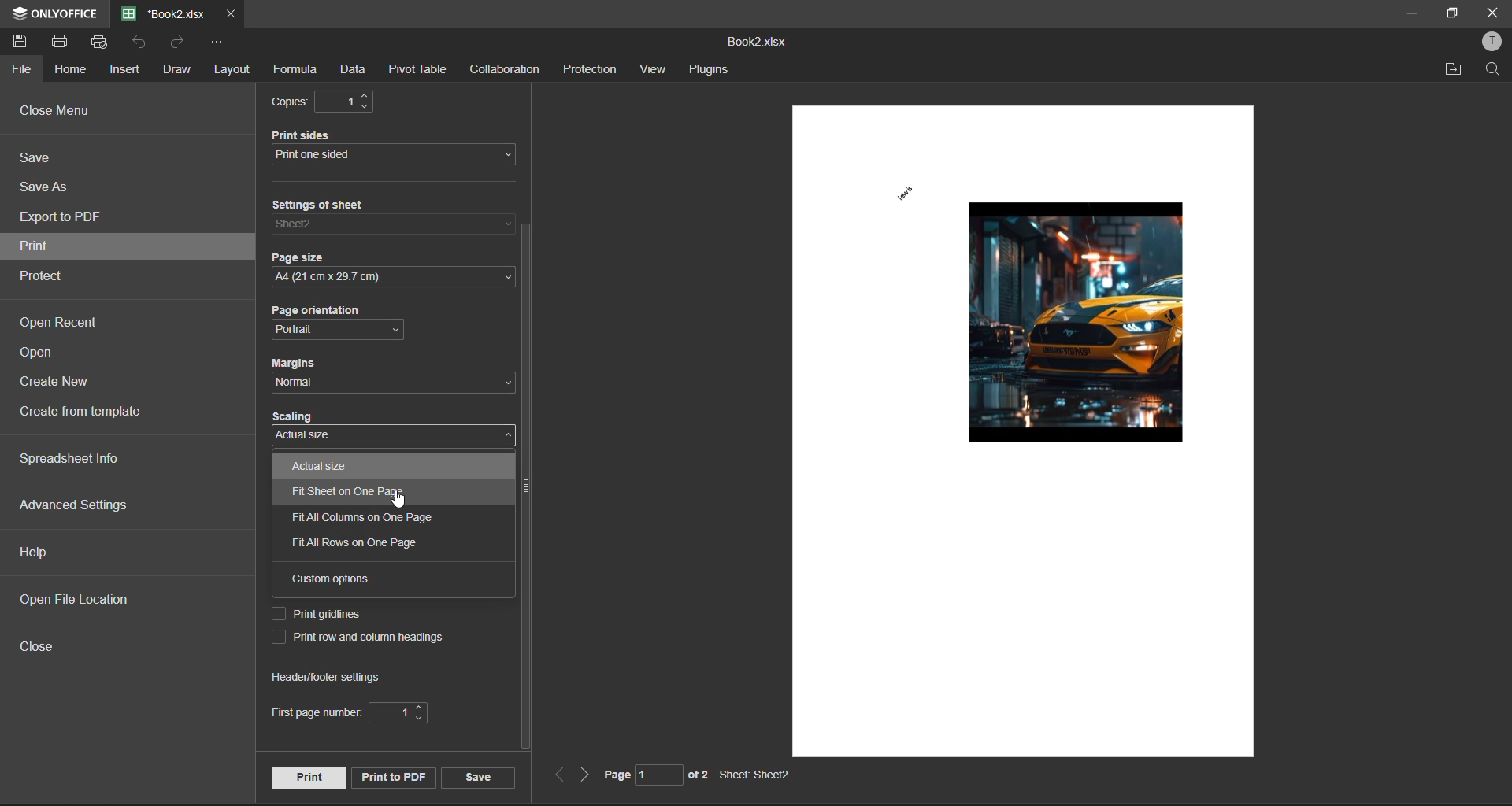 The width and height of the screenshot is (1512, 806). Describe the element at coordinates (228, 13) in the screenshot. I see `close tab` at that location.